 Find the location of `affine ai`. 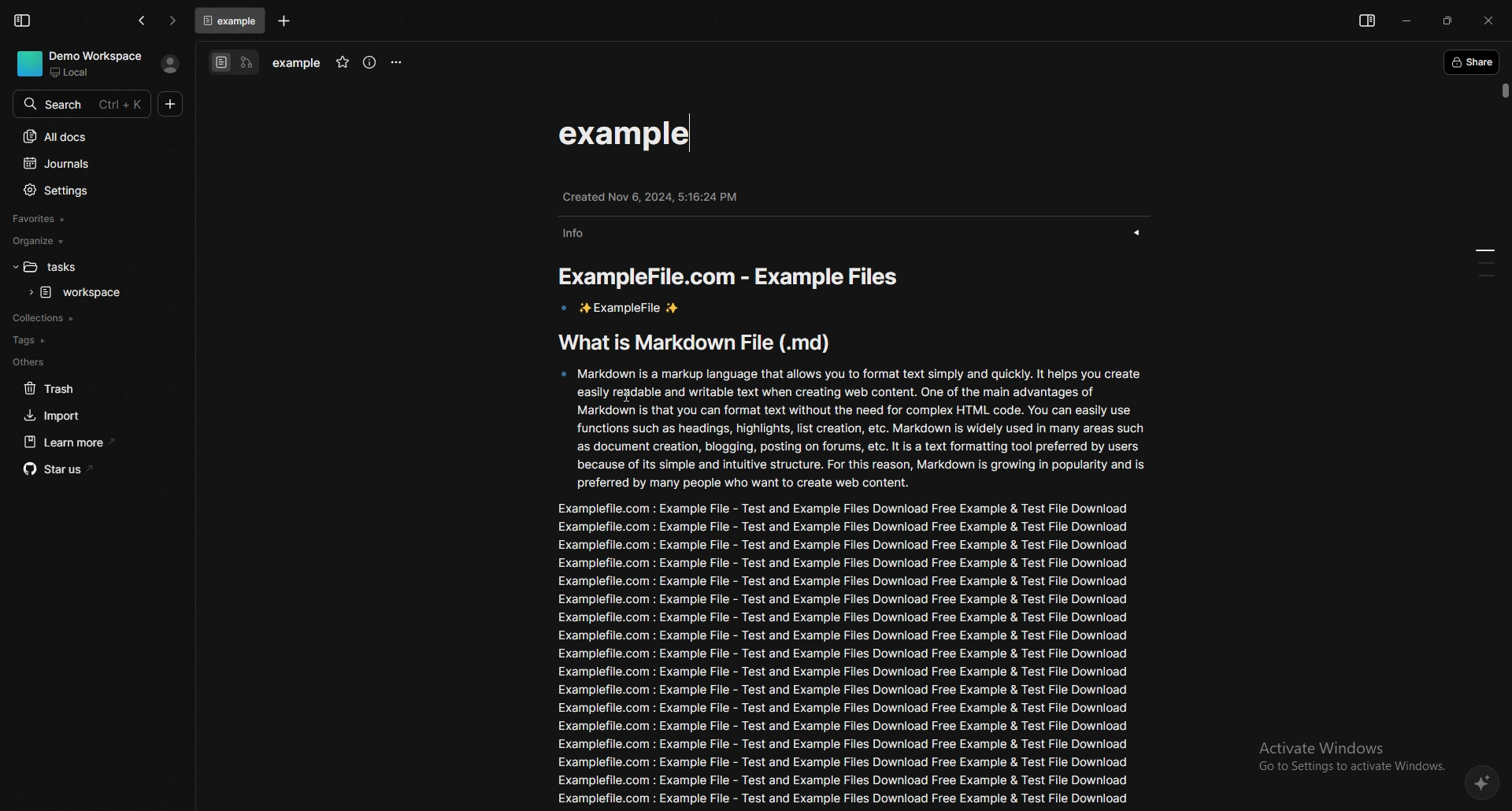

affine ai is located at coordinates (1480, 781).